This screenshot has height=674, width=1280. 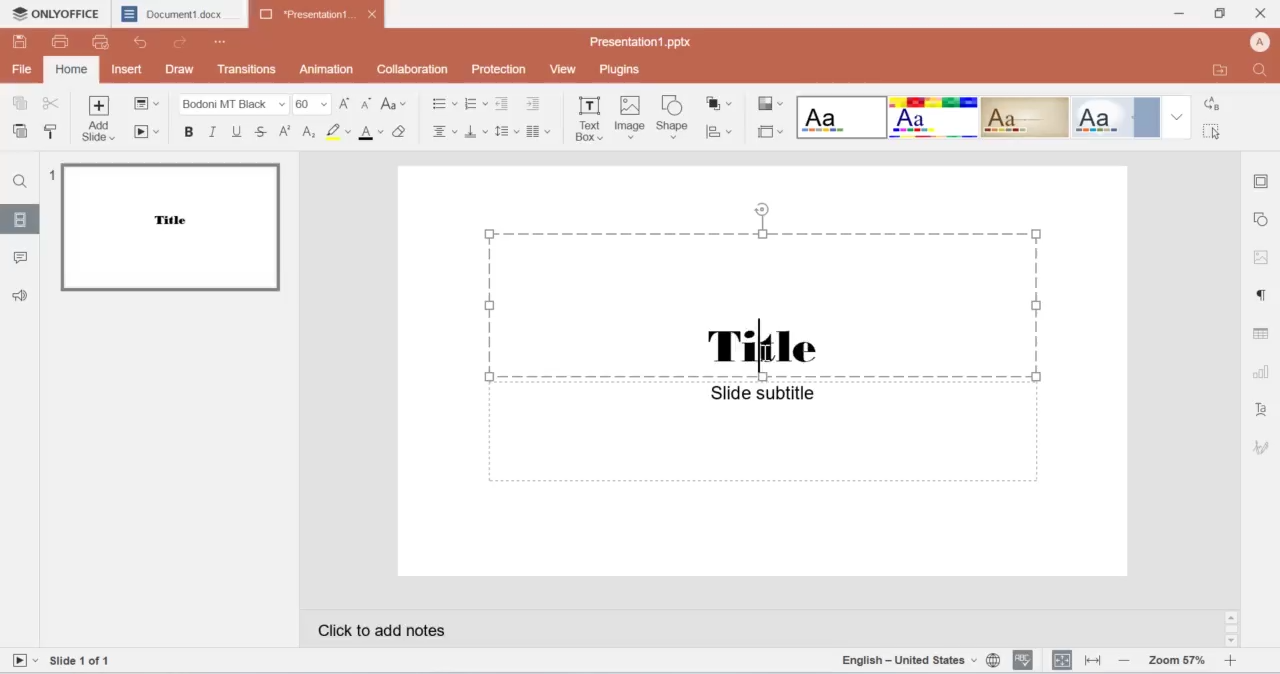 What do you see at coordinates (22, 258) in the screenshot?
I see `comments` at bounding box center [22, 258].